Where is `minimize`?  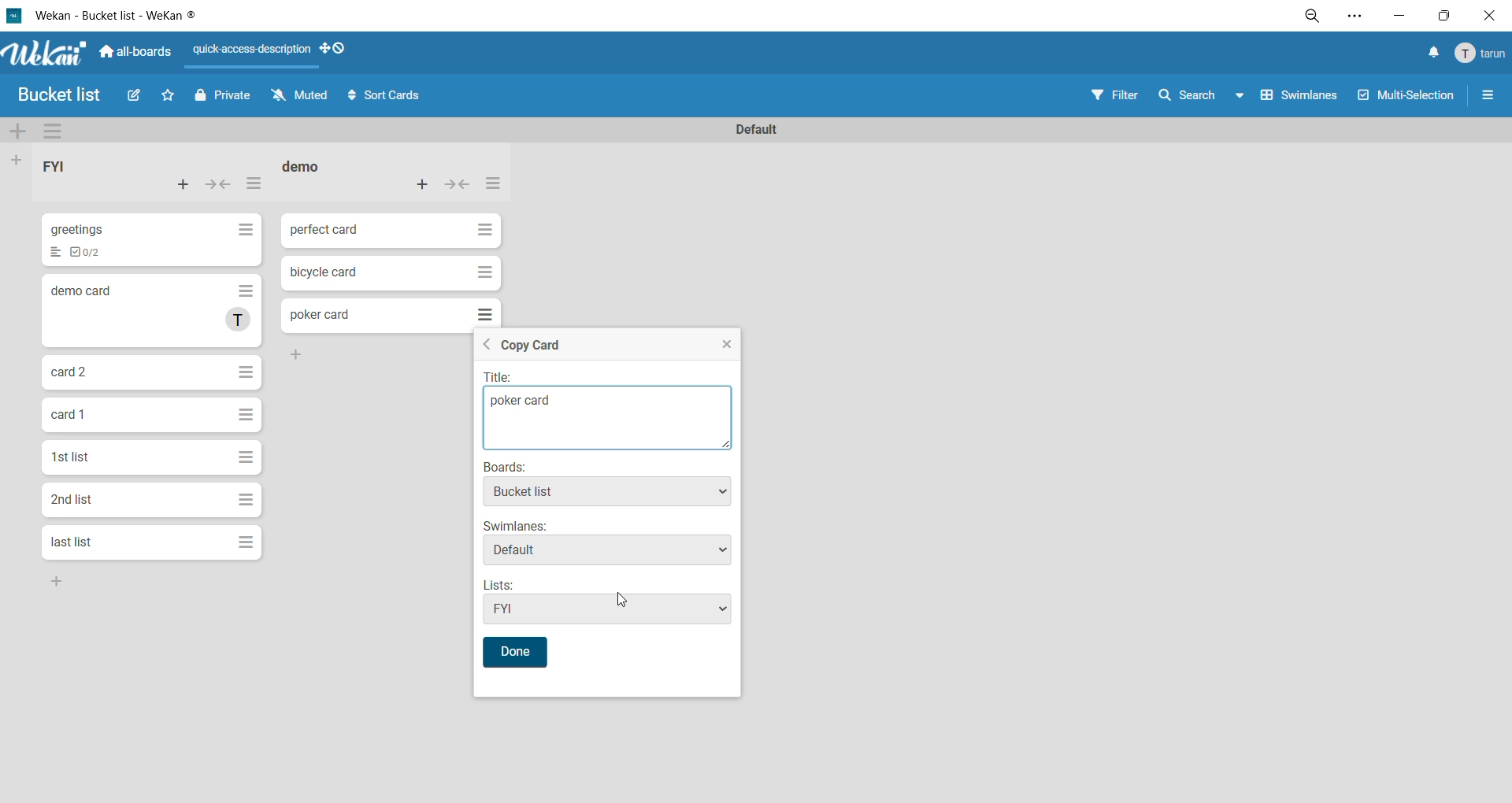 minimize is located at coordinates (1395, 16).